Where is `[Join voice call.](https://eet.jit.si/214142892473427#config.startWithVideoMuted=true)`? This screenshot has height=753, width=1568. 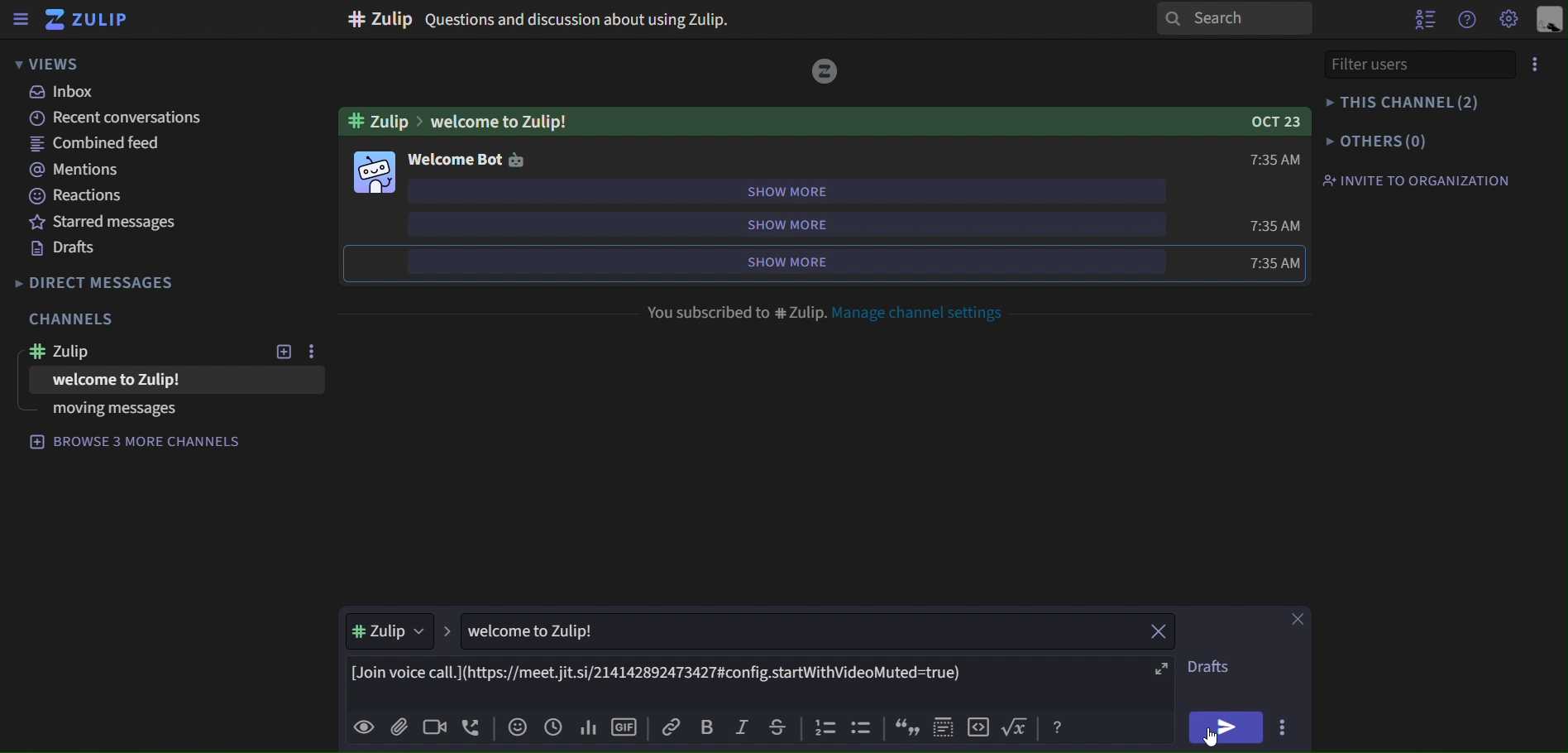
[Join voice call.](https://eet.jit.si/214142892473427#config.startWithVideoMuted=true) is located at coordinates (676, 672).